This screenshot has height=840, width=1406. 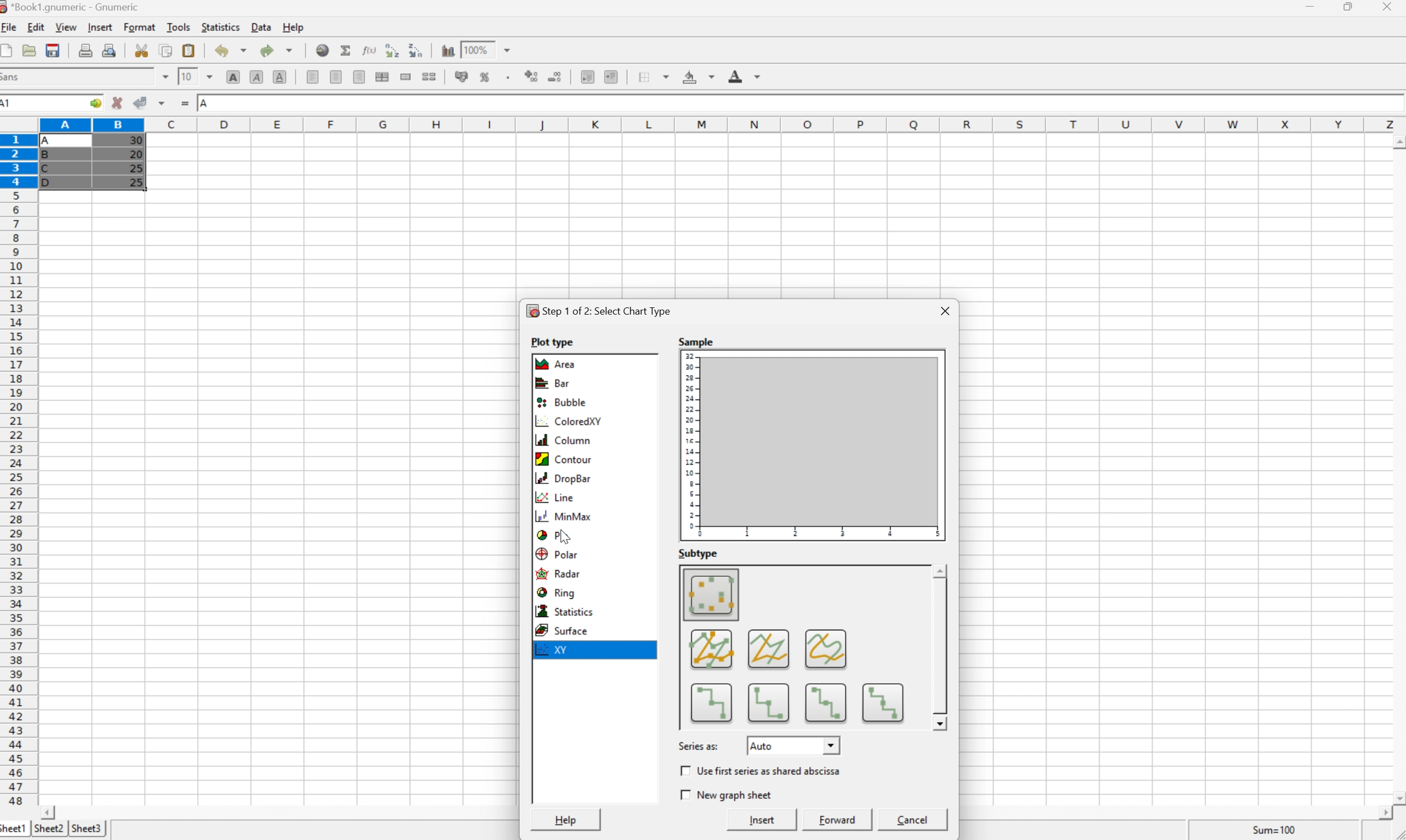 What do you see at coordinates (475, 49) in the screenshot?
I see `100%` at bounding box center [475, 49].